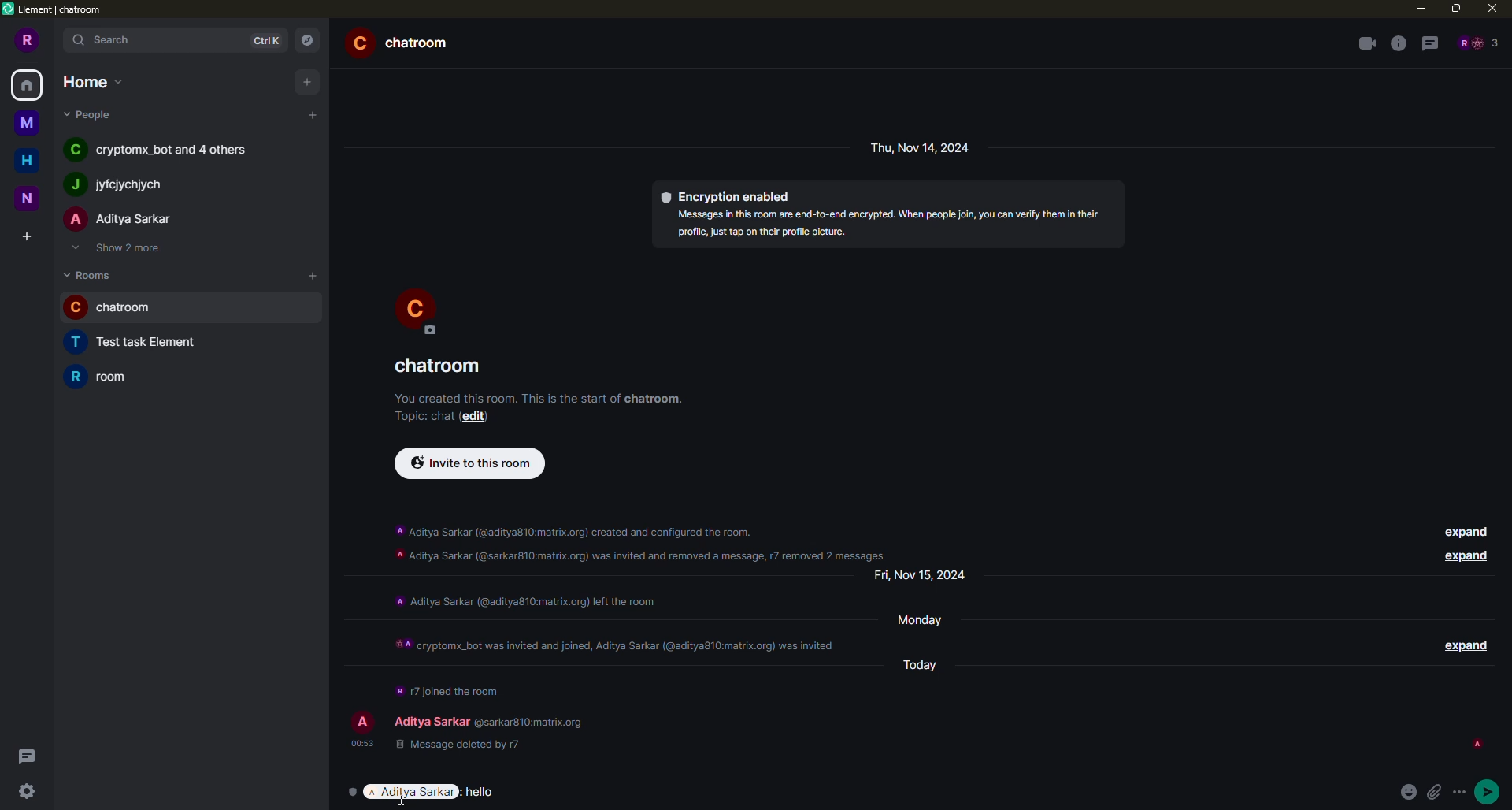  What do you see at coordinates (412, 793) in the screenshot?
I see `metioned` at bounding box center [412, 793].